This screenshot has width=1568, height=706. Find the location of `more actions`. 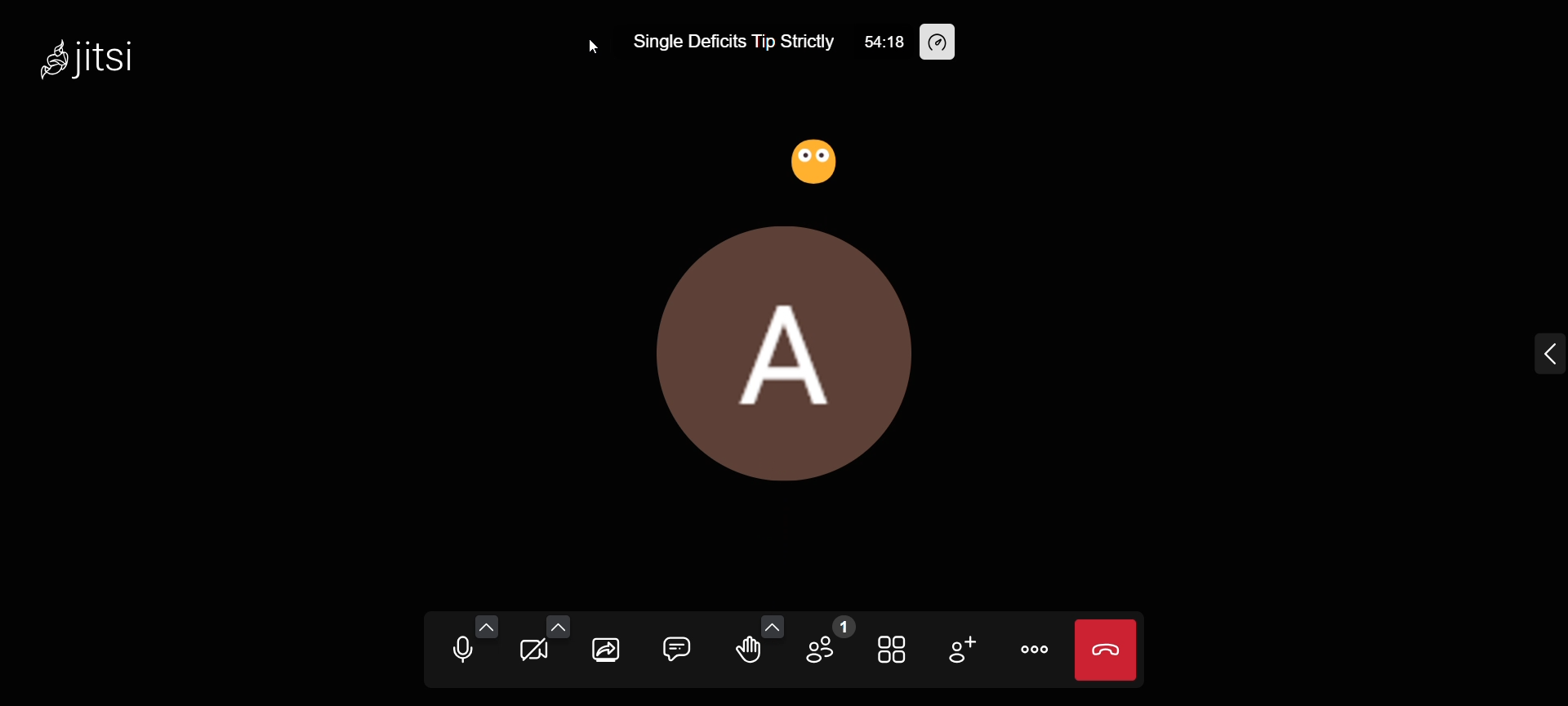

more actions is located at coordinates (1035, 650).